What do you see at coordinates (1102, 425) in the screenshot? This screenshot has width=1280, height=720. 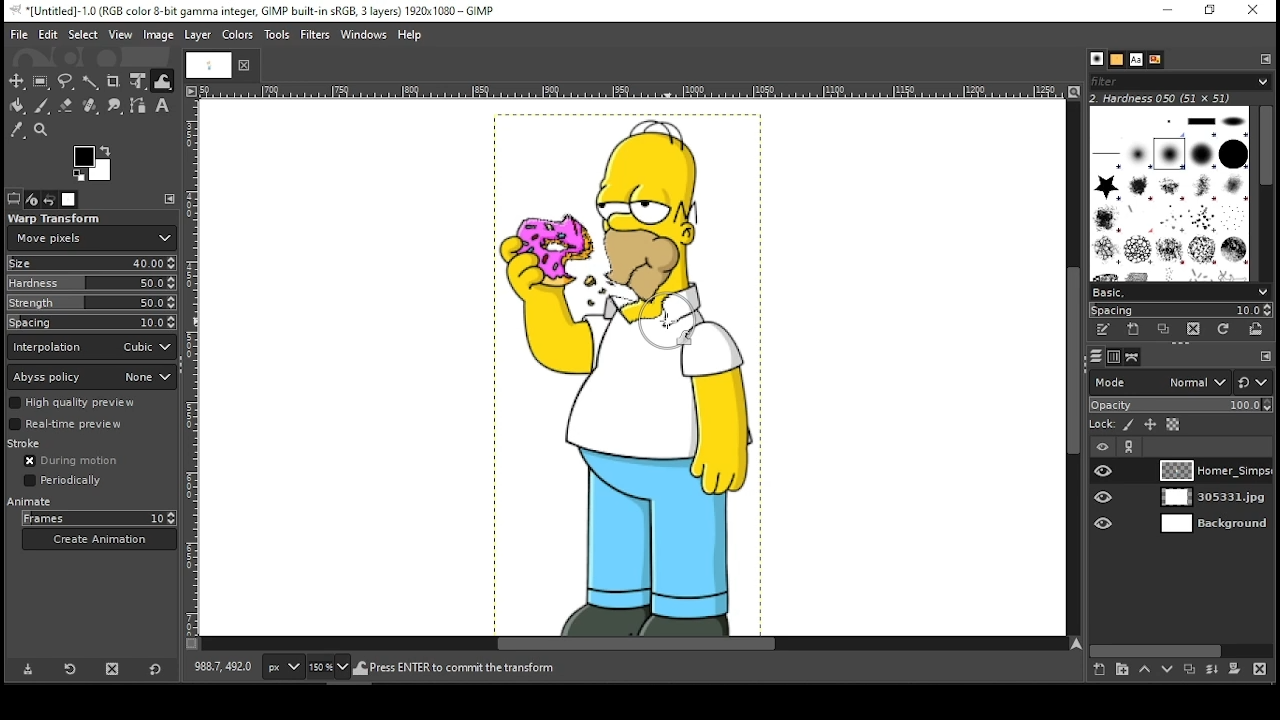 I see `lock` at bounding box center [1102, 425].